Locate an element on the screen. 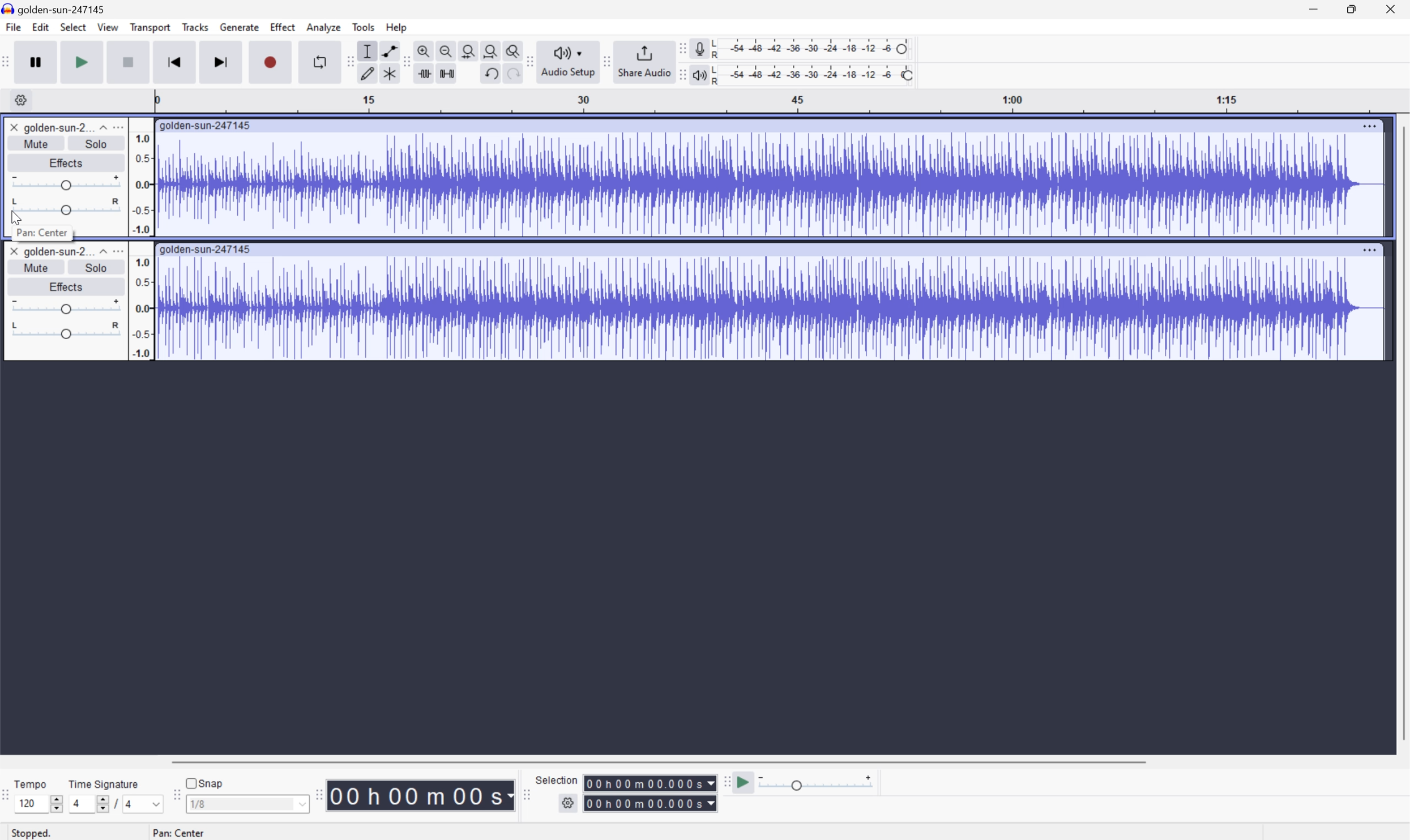 The height and width of the screenshot is (840, 1410). Time is located at coordinates (421, 796).